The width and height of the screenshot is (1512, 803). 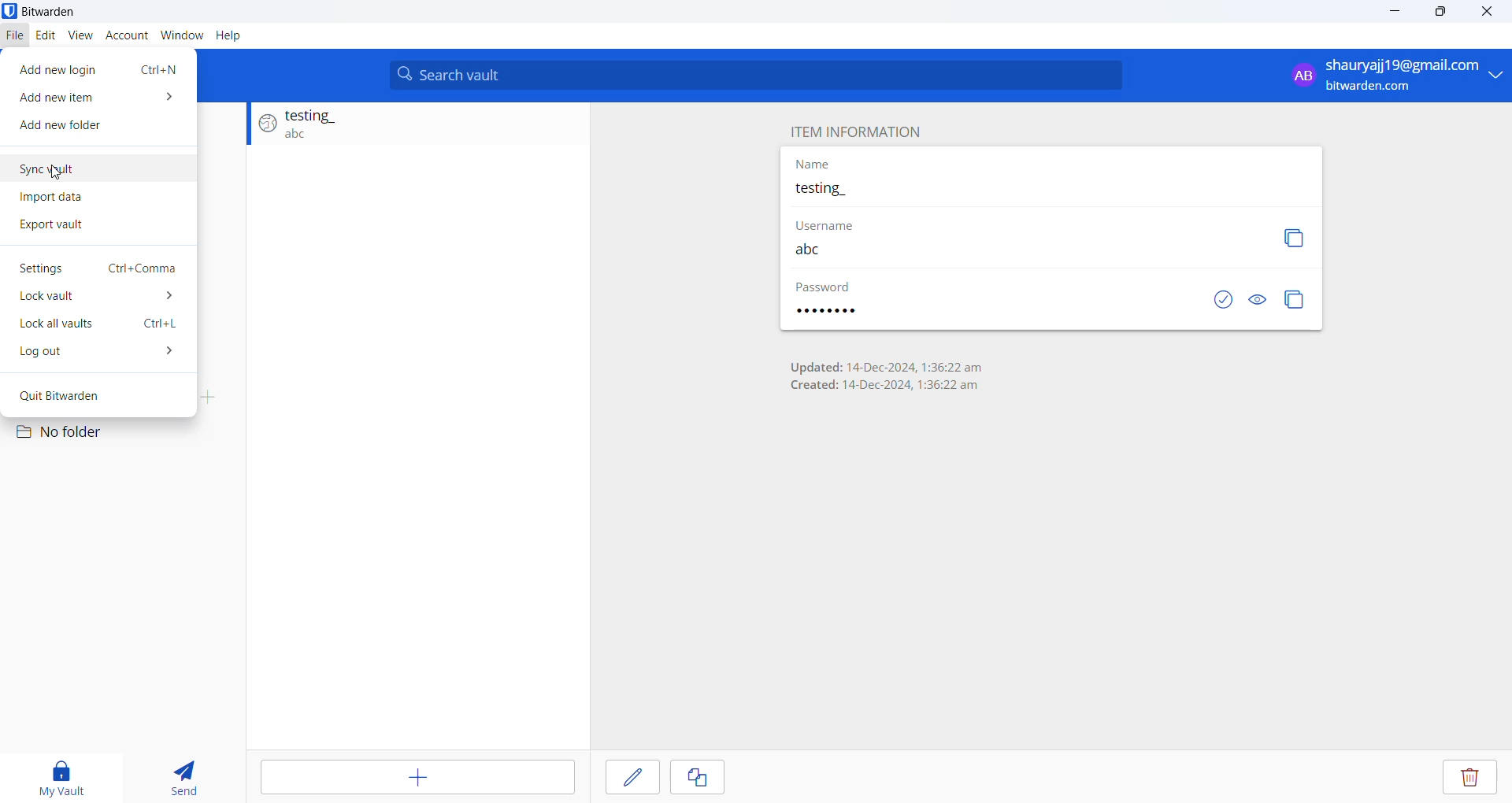 What do you see at coordinates (1209, 301) in the screenshot?
I see `Saved` at bounding box center [1209, 301].